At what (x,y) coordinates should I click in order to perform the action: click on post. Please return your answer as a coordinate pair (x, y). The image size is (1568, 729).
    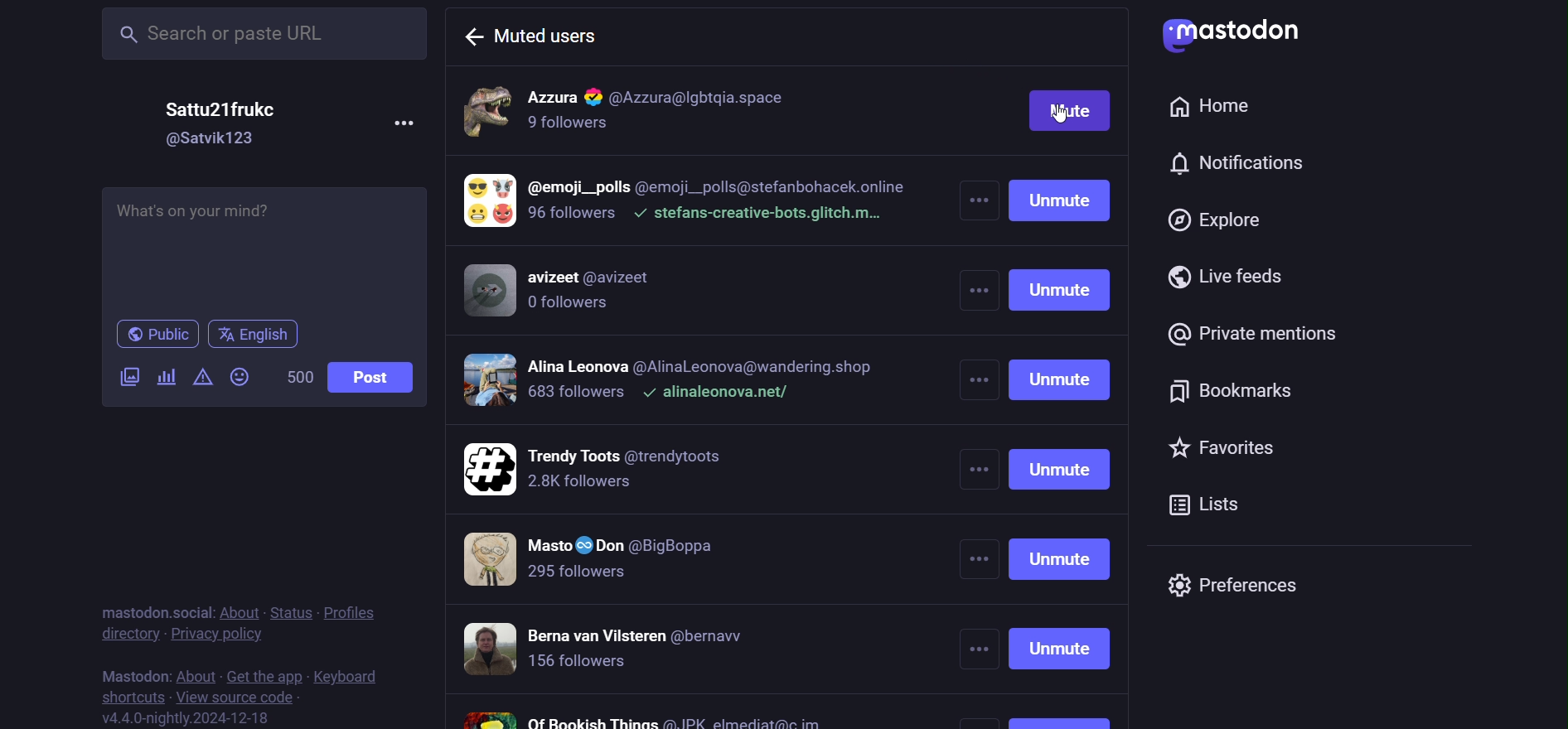
    Looking at the image, I should click on (377, 375).